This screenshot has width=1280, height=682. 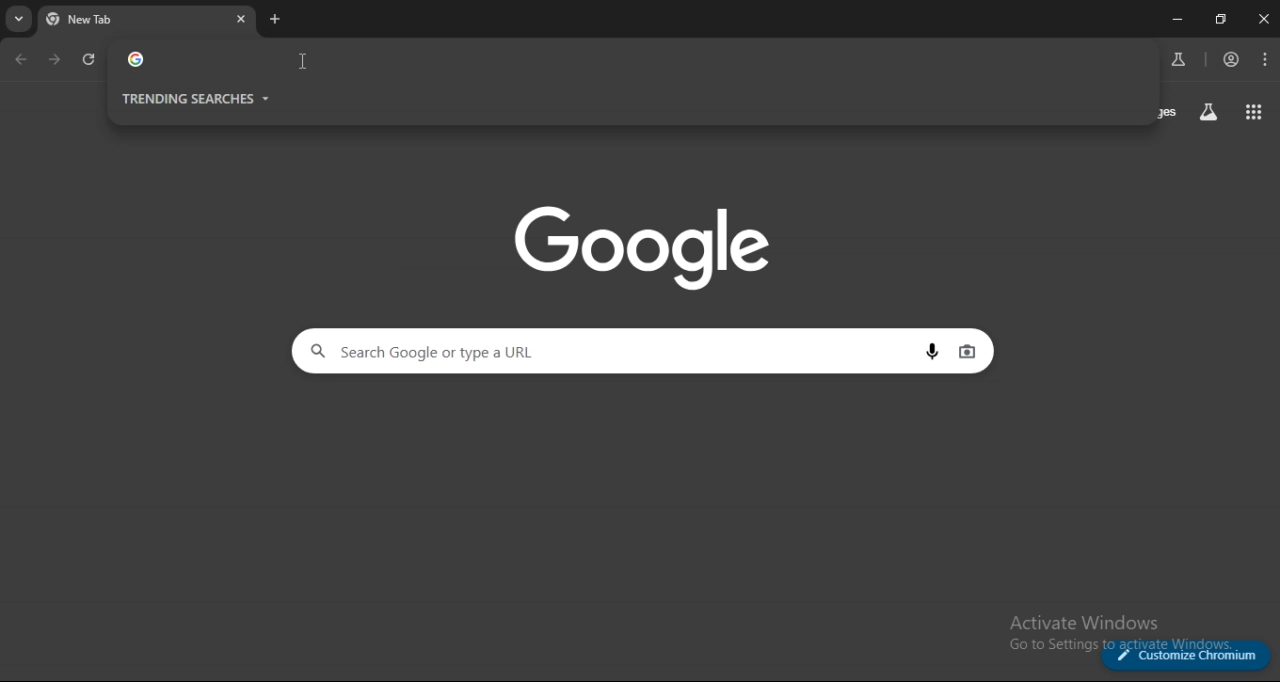 What do you see at coordinates (936, 353) in the screenshot?
I see `voice search` at bounding box center [936, 353].